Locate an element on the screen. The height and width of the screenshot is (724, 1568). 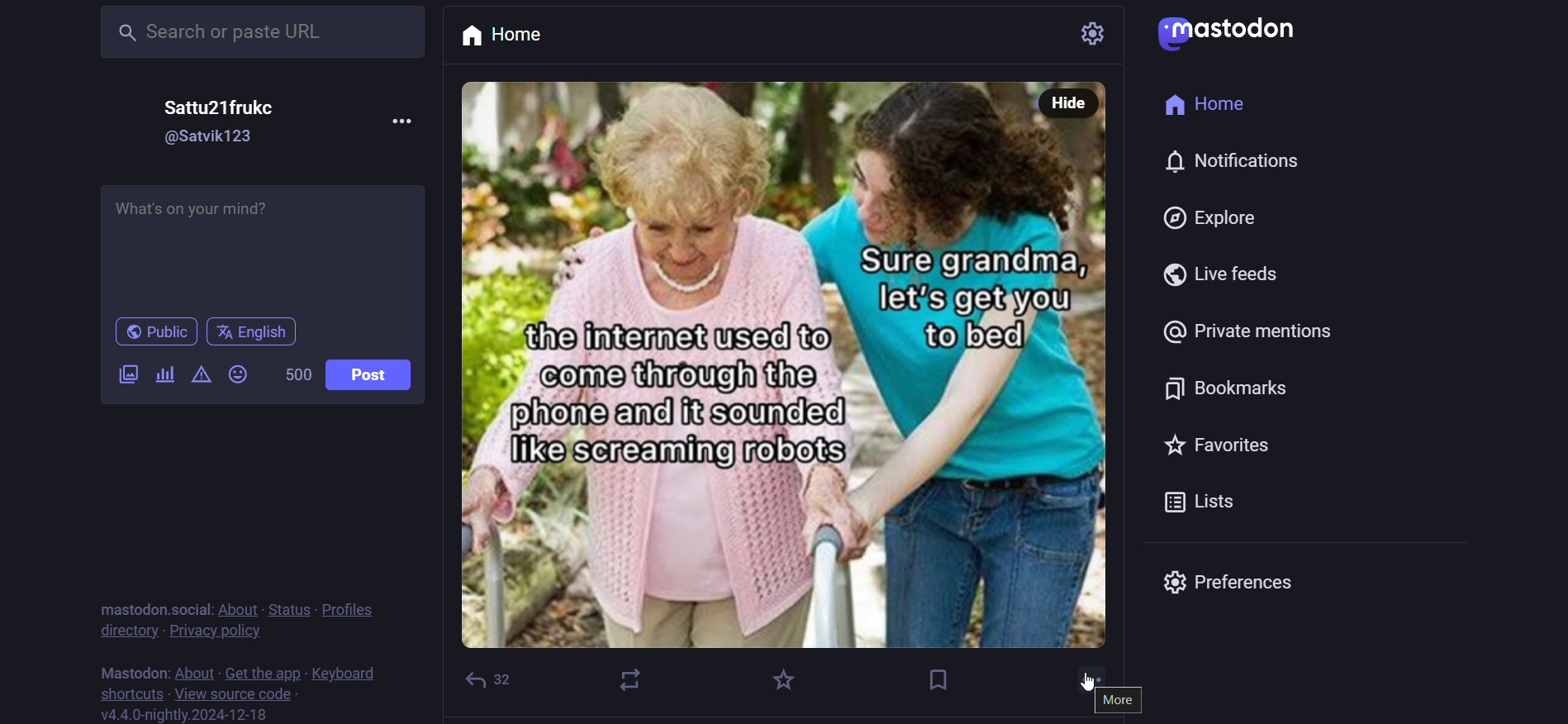
more is located at coordinates (1084, 675).